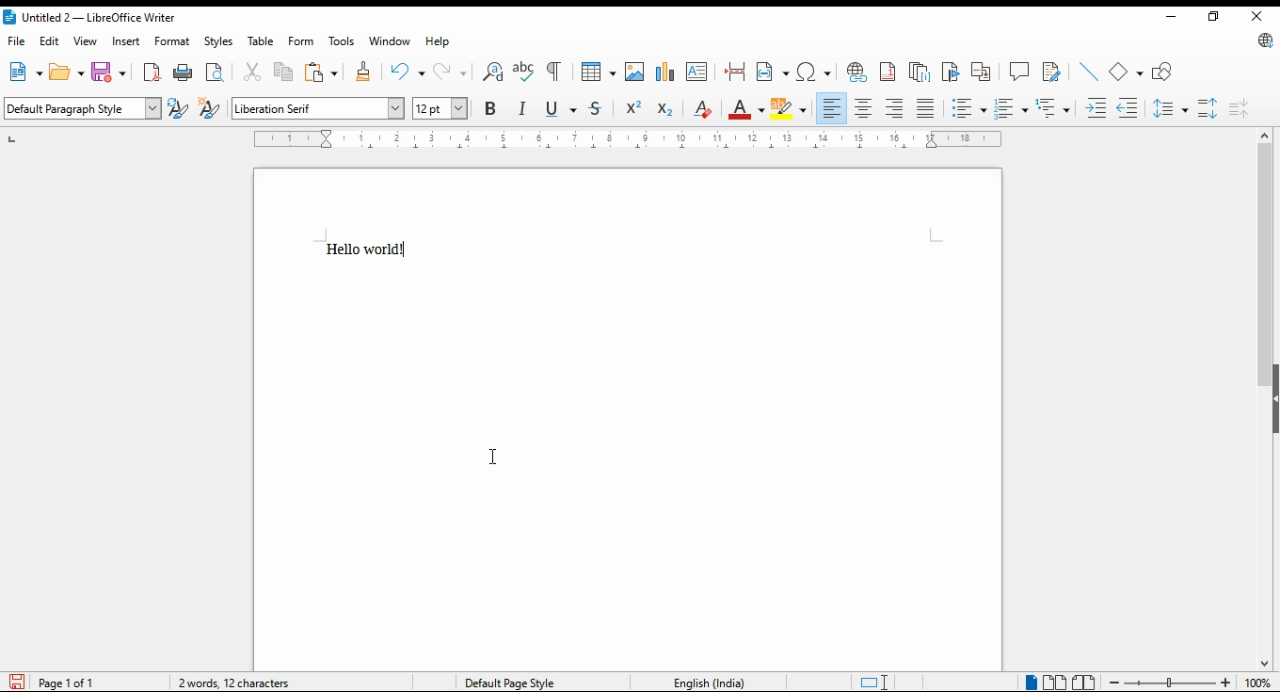  I want to click on select outline format, so click(1053, 108).